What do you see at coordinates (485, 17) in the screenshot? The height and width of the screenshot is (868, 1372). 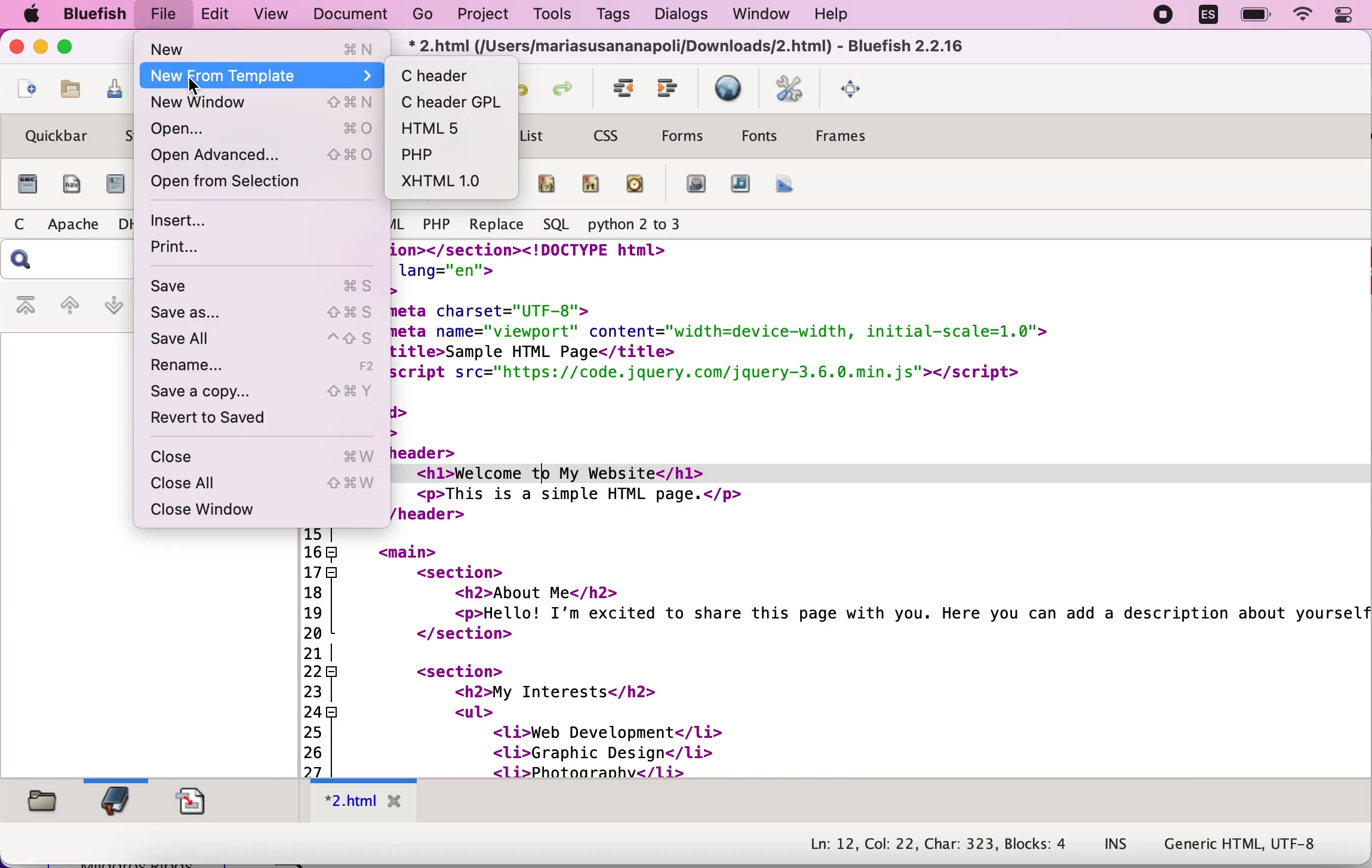 I see `project` at bounding box center [485, 17].